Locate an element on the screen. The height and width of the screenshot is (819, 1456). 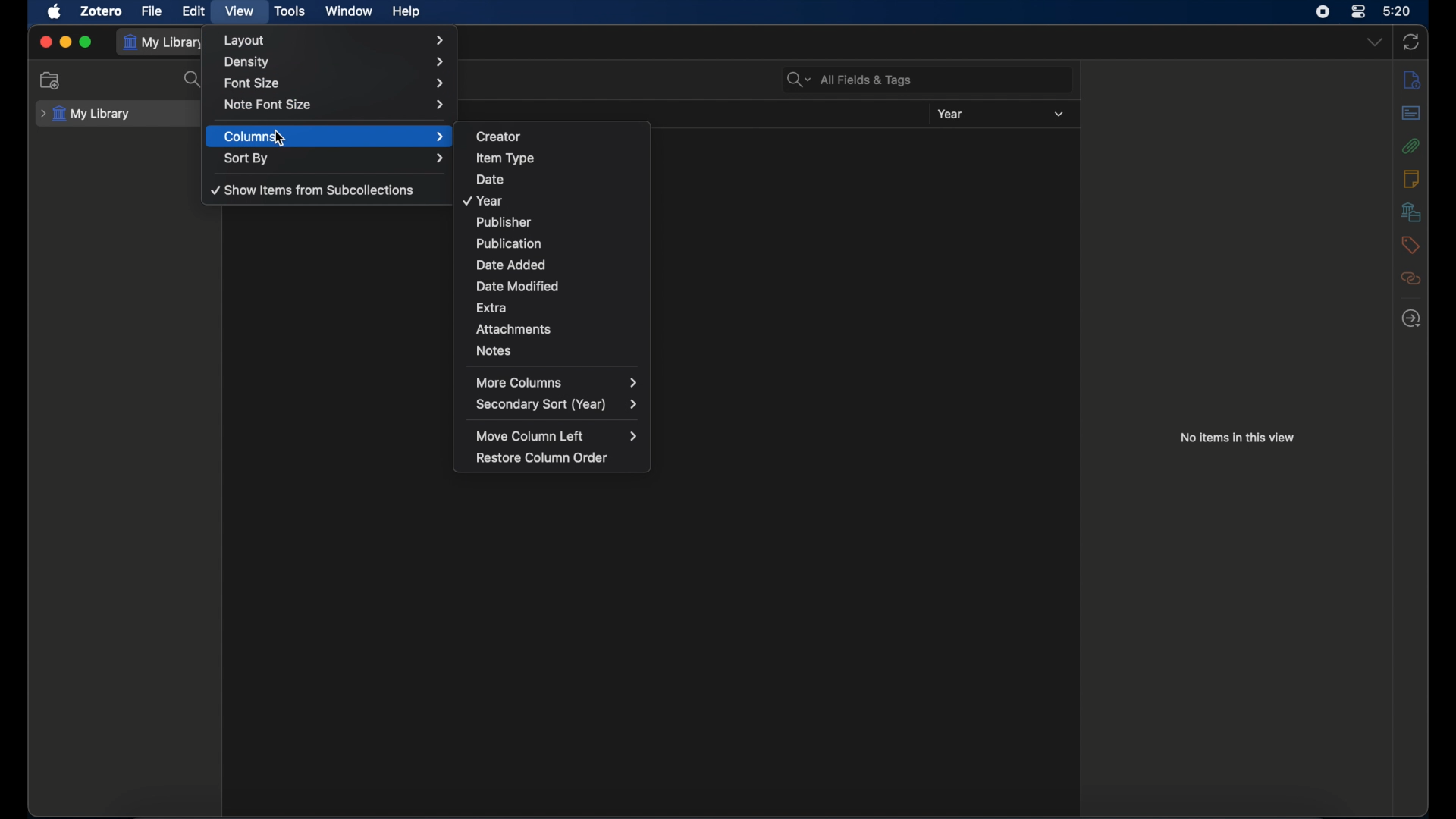
libraries is located at coordinates (1410, 212).